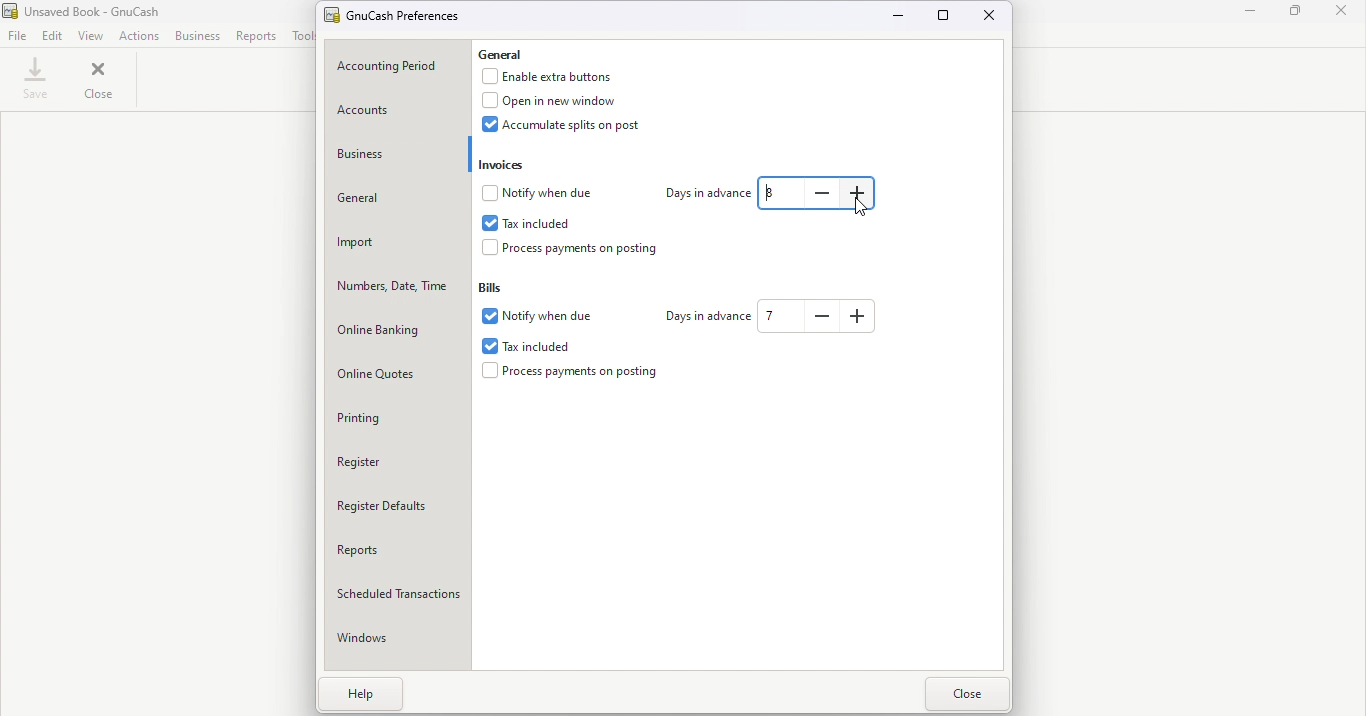 Image resolution: width=1366 pixels, height=716 pixels. I want to click on Tax included, so click(525, 221).